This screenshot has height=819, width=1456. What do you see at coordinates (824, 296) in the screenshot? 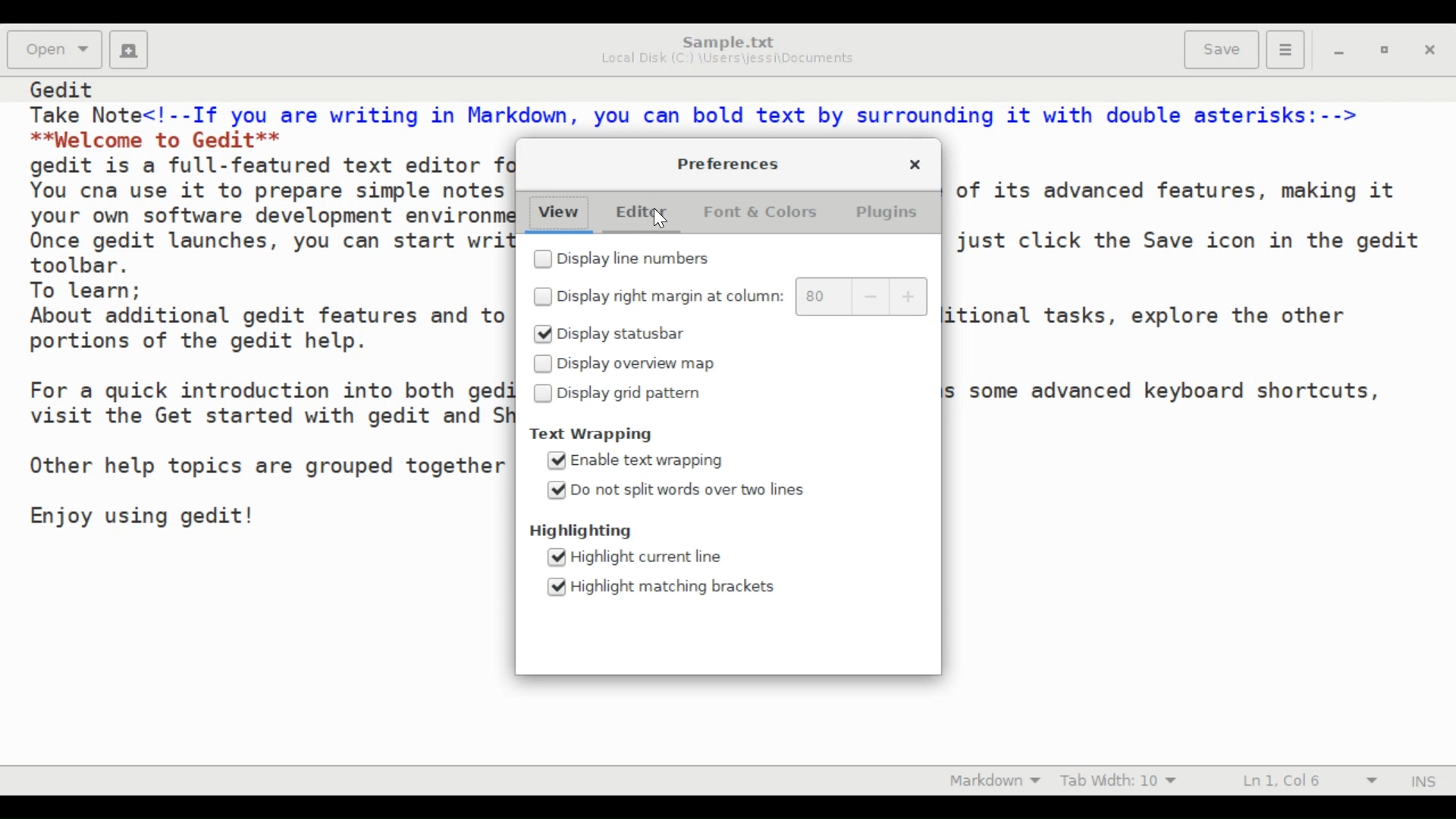
I see `80 margin` at bounding box center [824, 296].